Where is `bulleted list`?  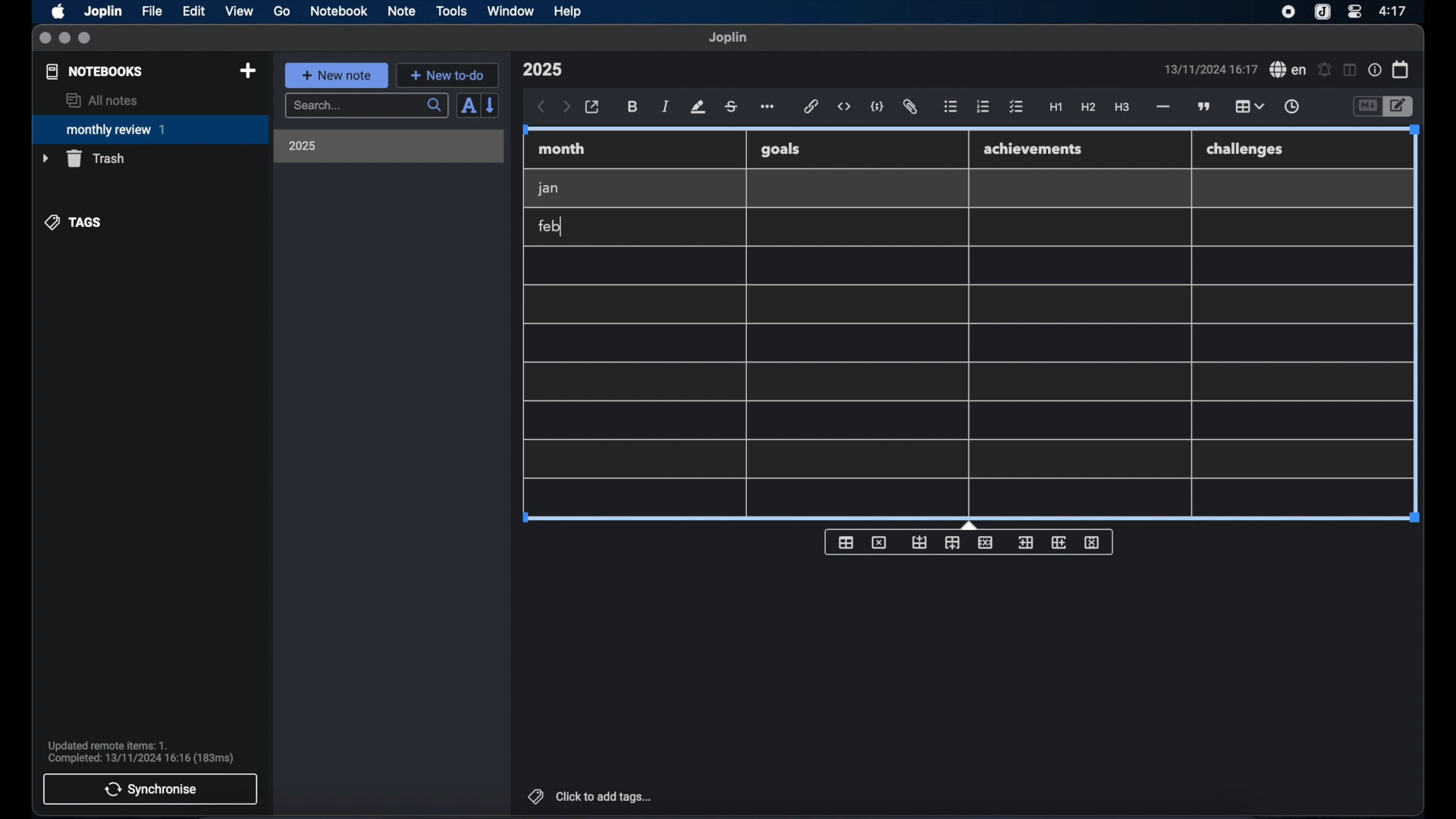 bulleted list is located at coordinates (950, 107).